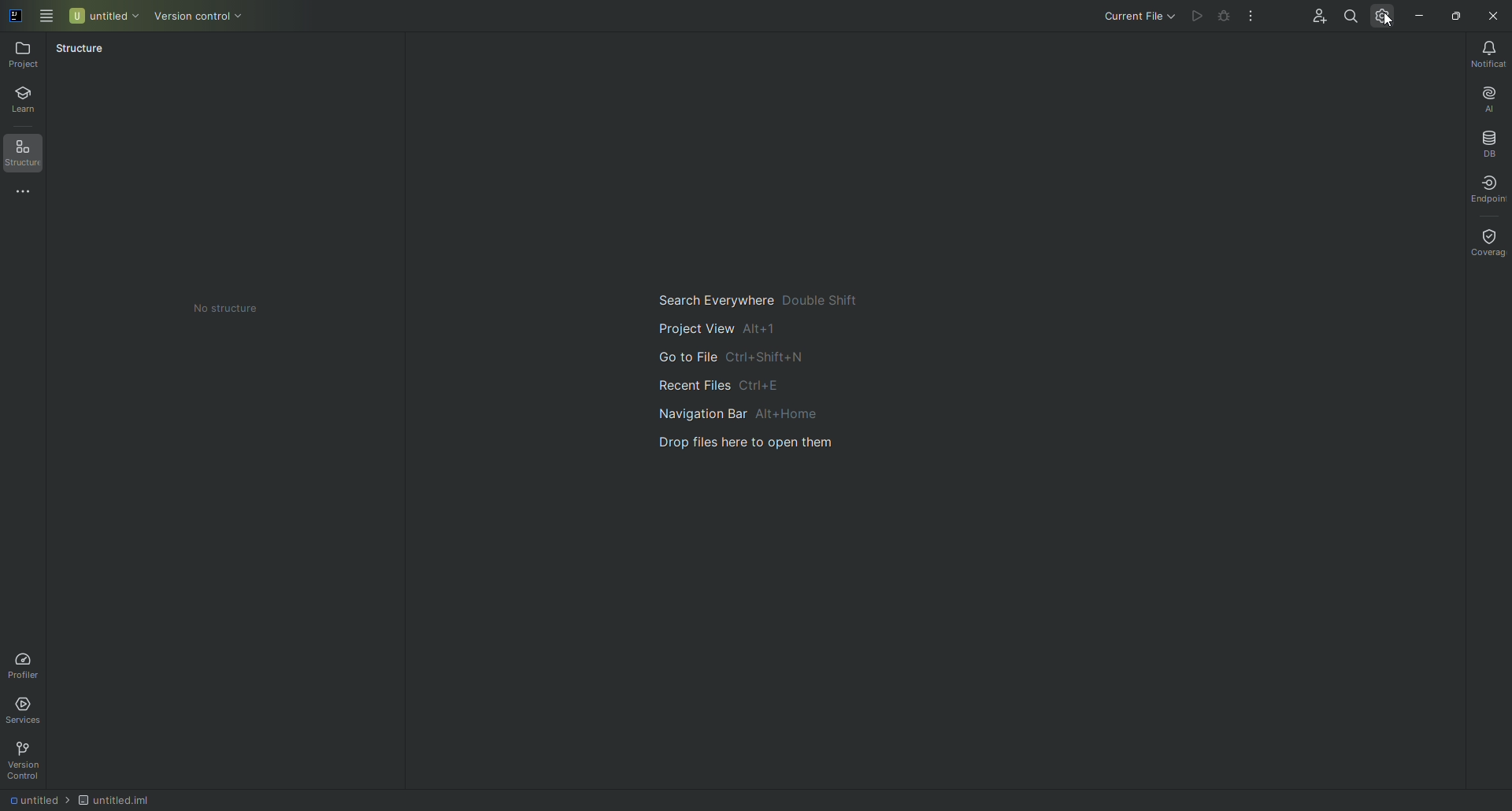 Image resolution: width=1512 pixels, height=811 pixels. What do you see at coordinates (1493, 17) in the screenshot?
I see `Close` at bounding box center [1493, 17].